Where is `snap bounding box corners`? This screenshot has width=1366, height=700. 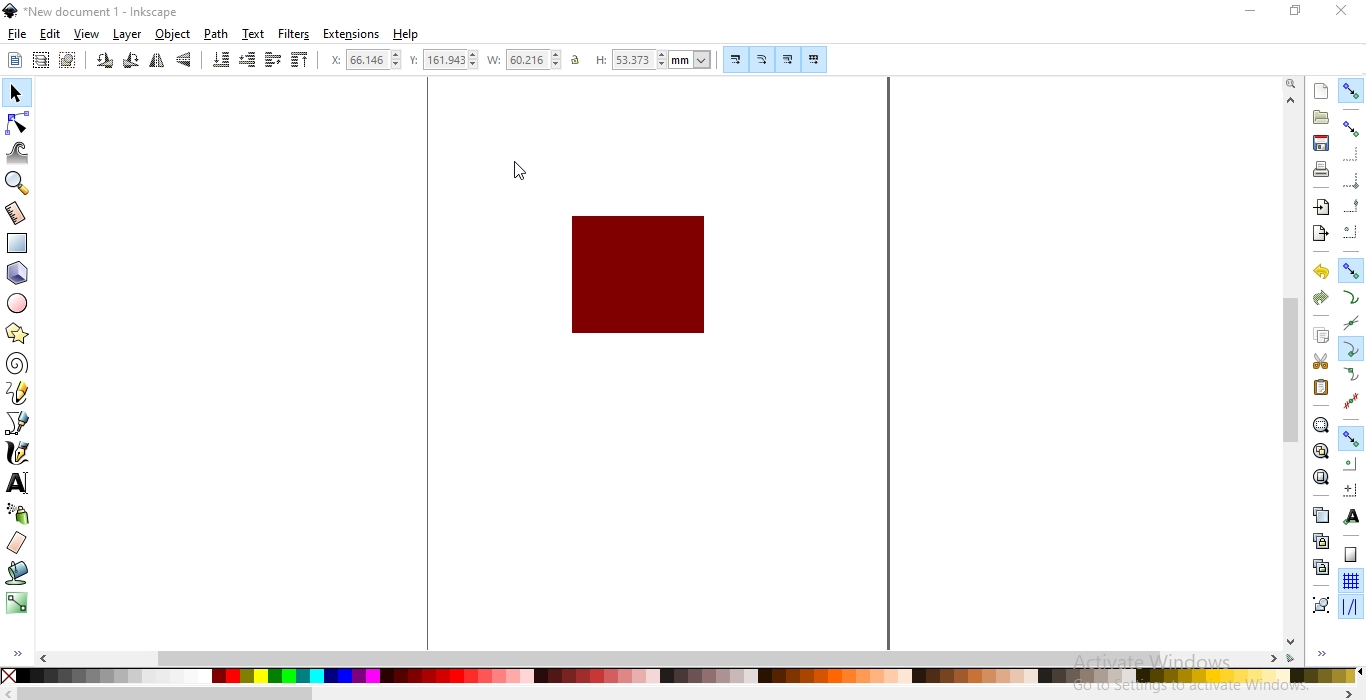
snap bounding box corners is located at coordinates (1352, 183).